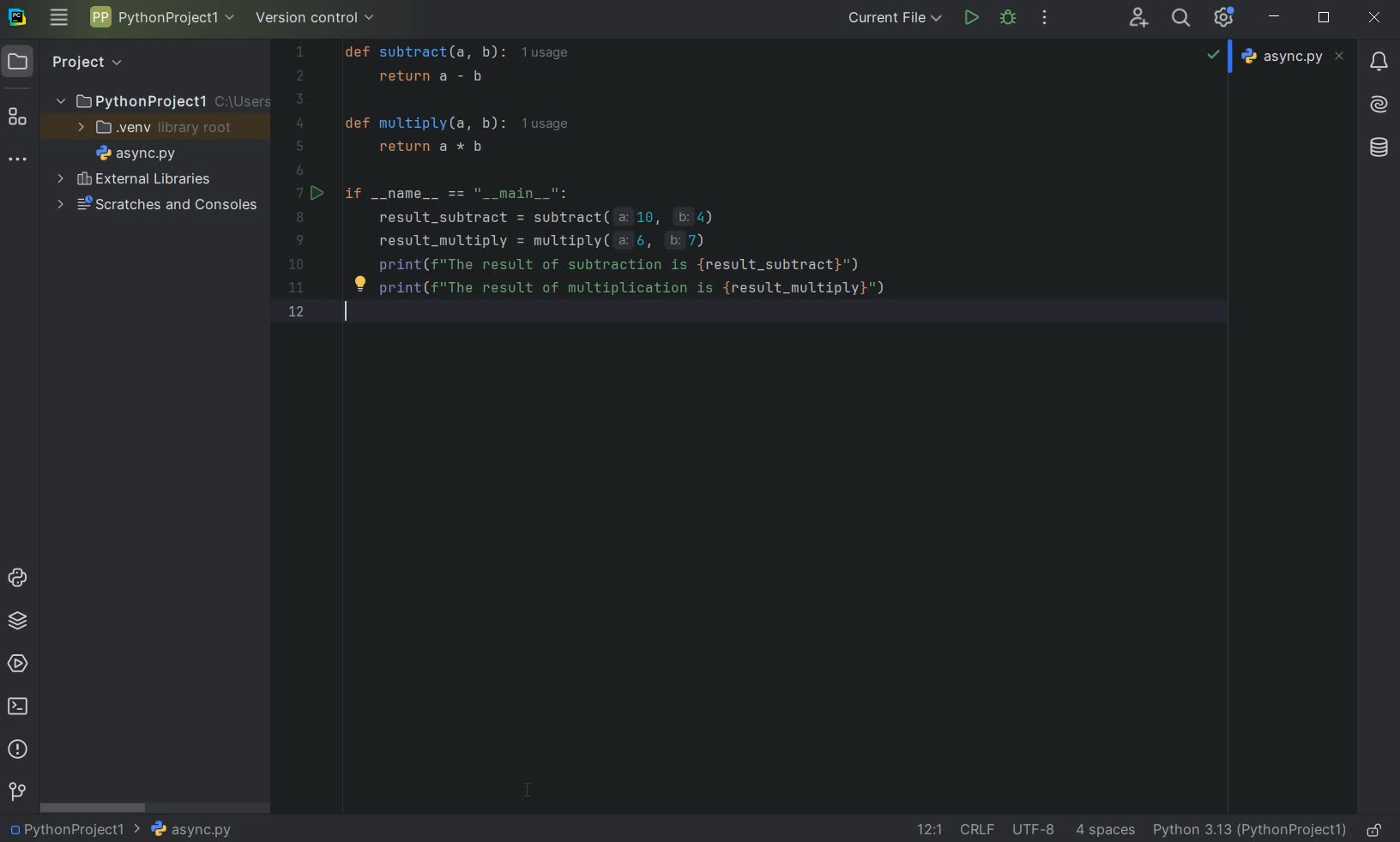  Describe the element at coordinates (1295, 56) in the screenshot. I see `file name` at that location.